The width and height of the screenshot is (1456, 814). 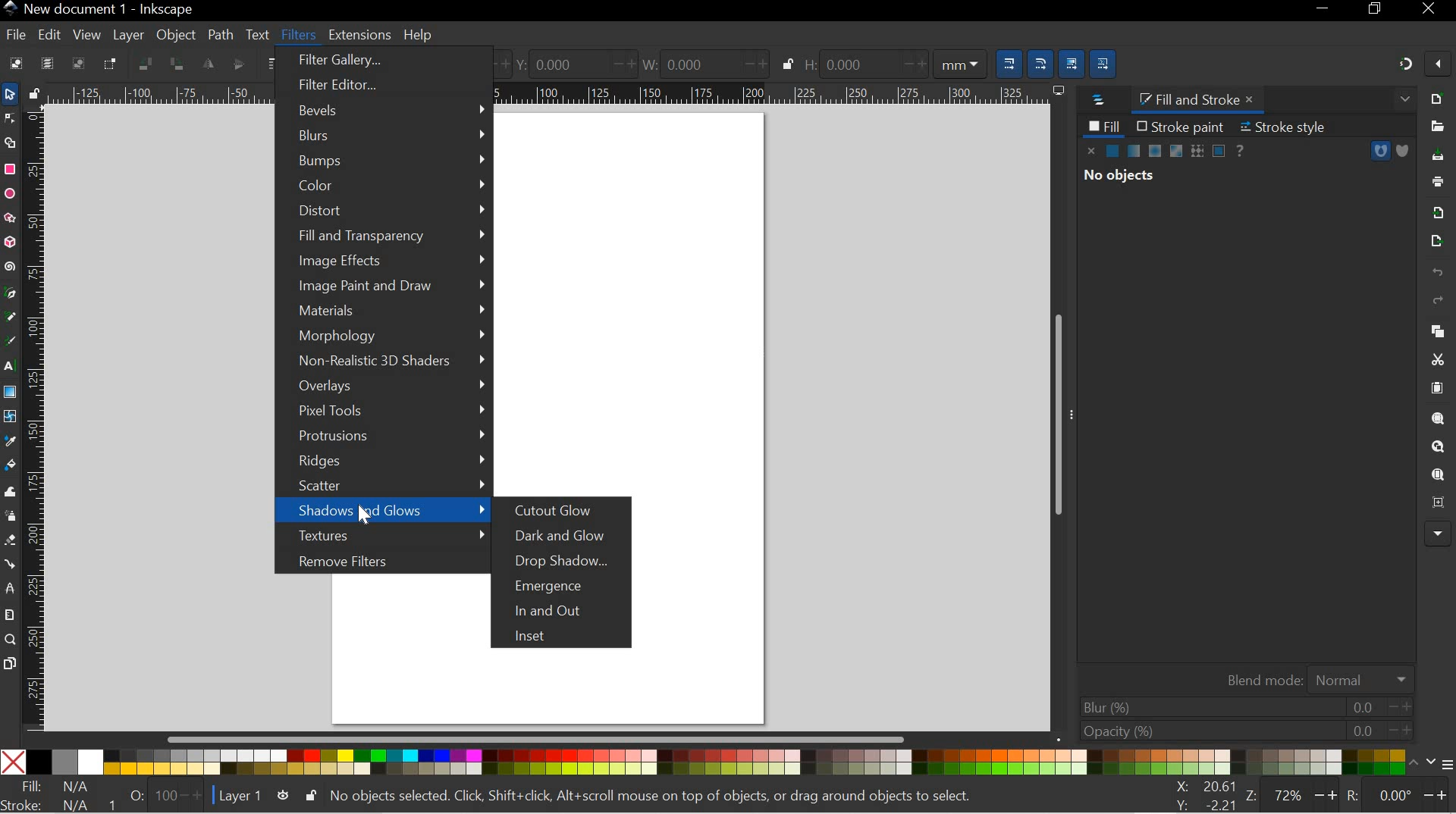 I want to click on COLOR, so click(x=384, y=186).